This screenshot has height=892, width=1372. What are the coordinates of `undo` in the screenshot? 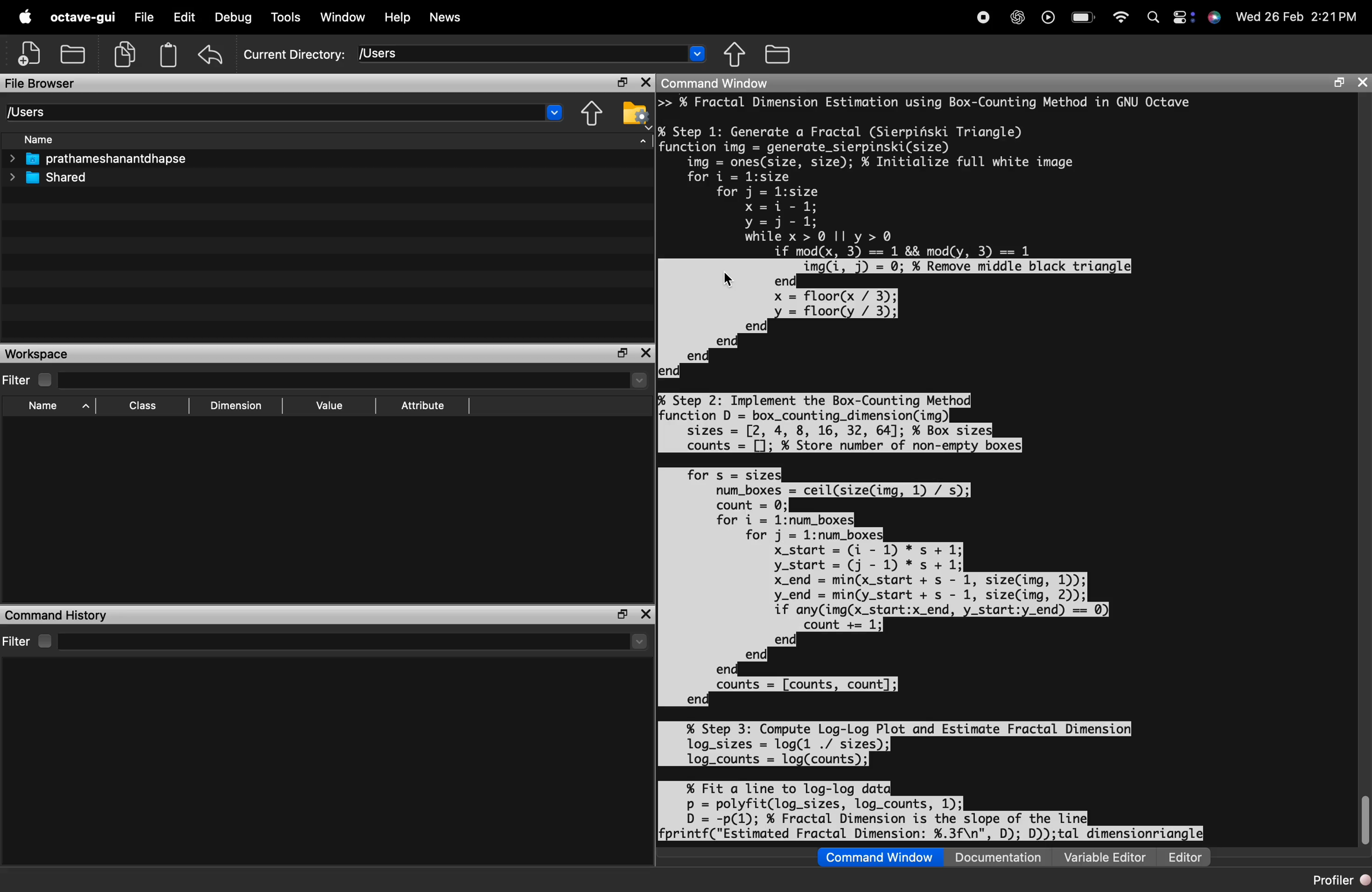 It's located at (210, 56).